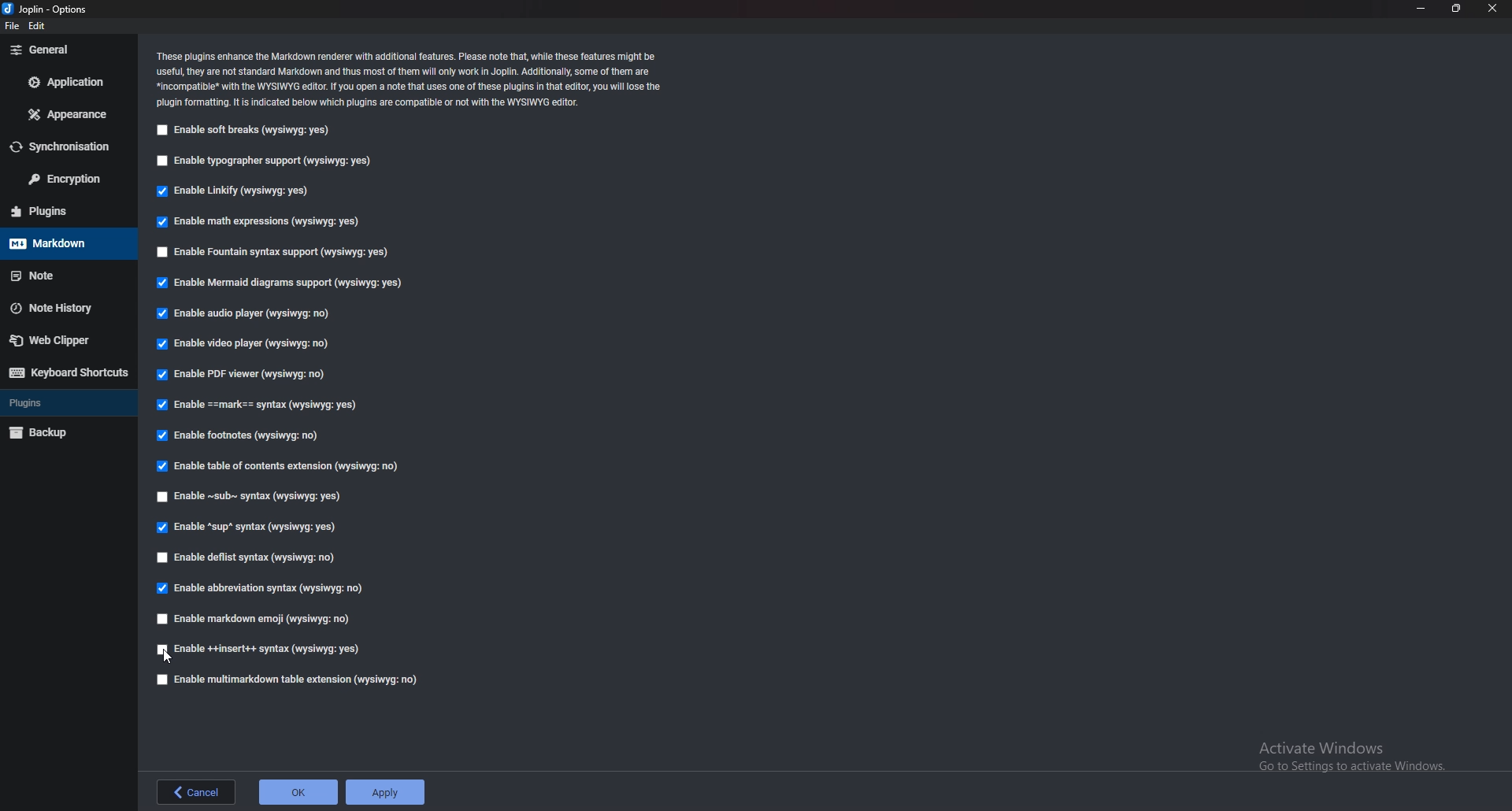 This screenshot has width=1512, height=811. Describe the element at coordinates (12, 26) in the screenshot. I see `file` at that location.